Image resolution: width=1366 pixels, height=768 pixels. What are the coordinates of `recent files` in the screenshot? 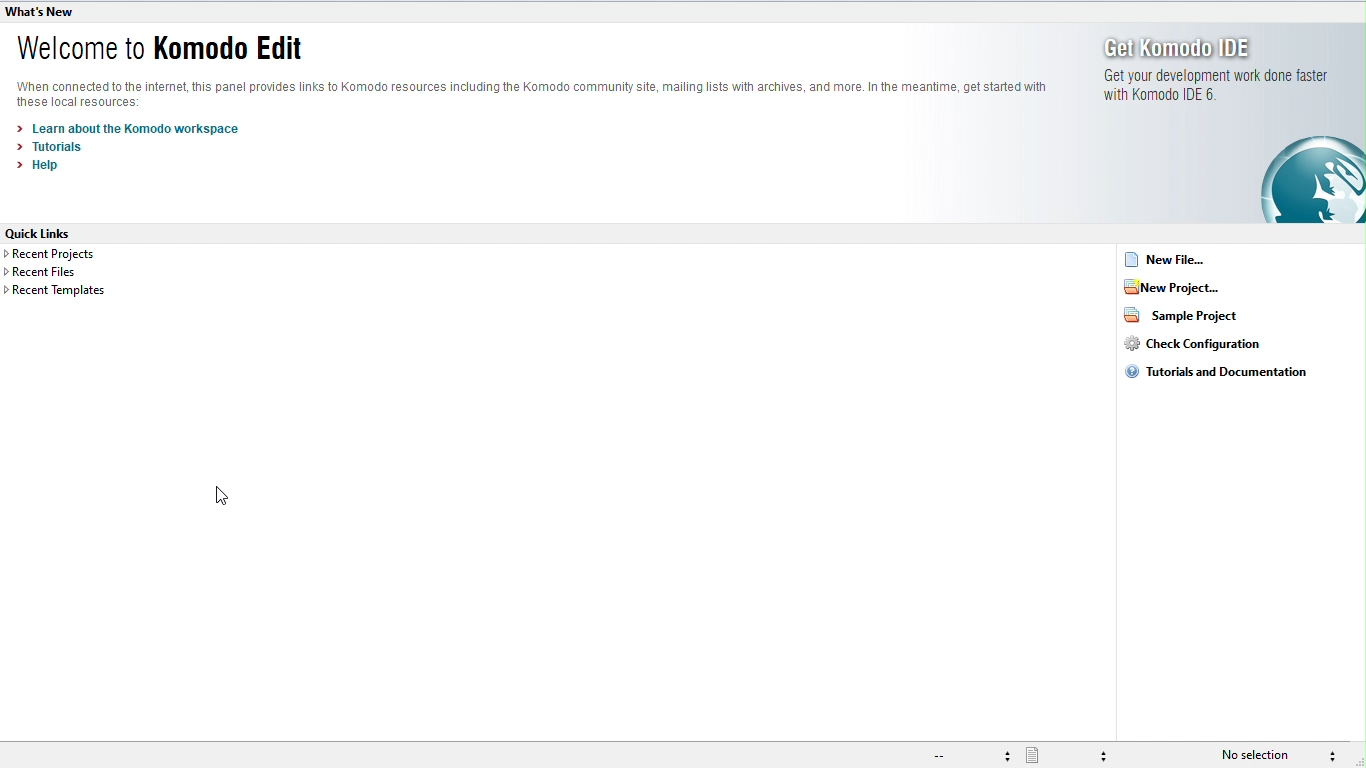 It's located at (68, 272).